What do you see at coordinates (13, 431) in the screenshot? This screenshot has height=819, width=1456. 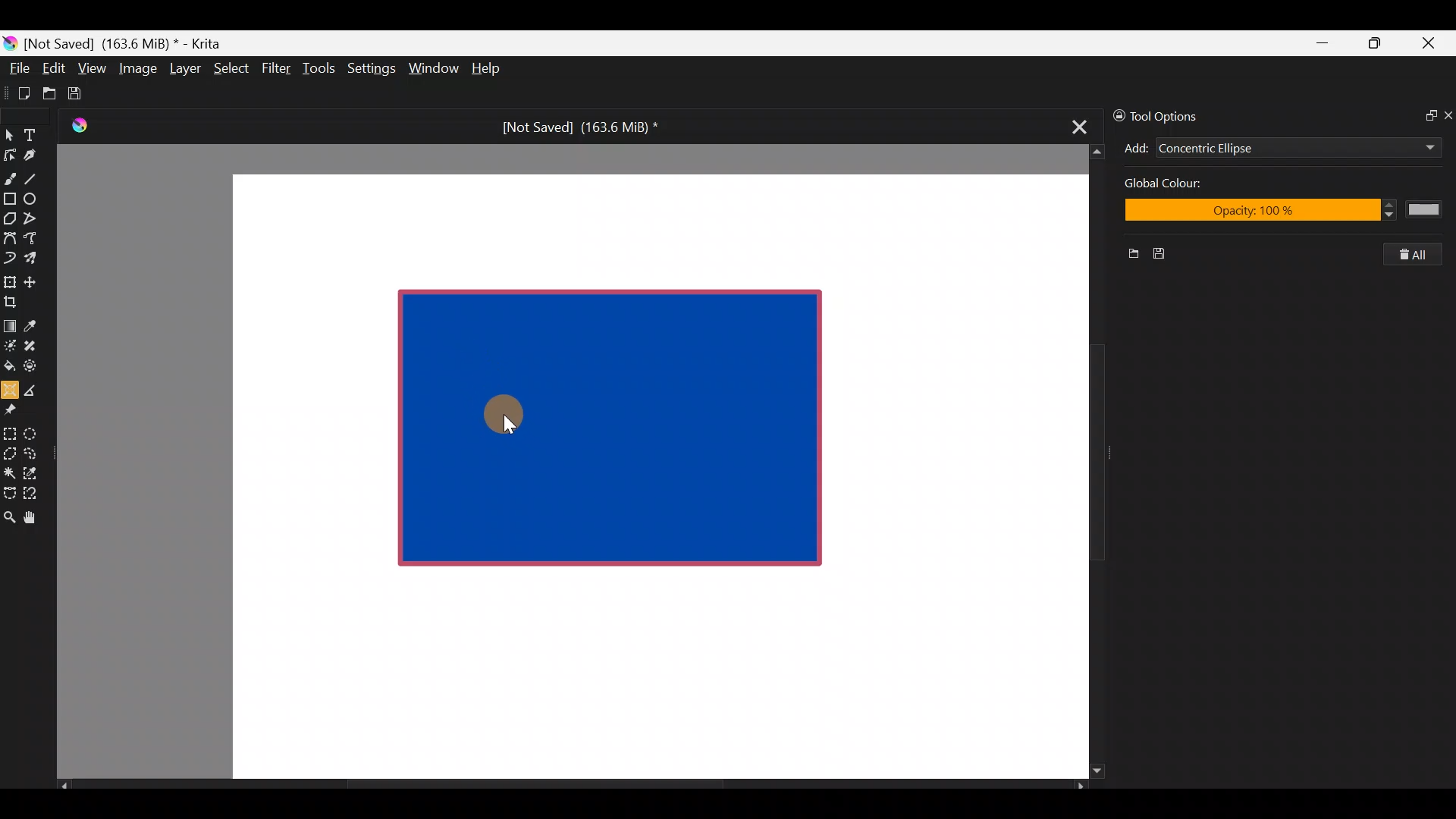 I see `Rectangular selection tool` at bounding box center [13, 431].